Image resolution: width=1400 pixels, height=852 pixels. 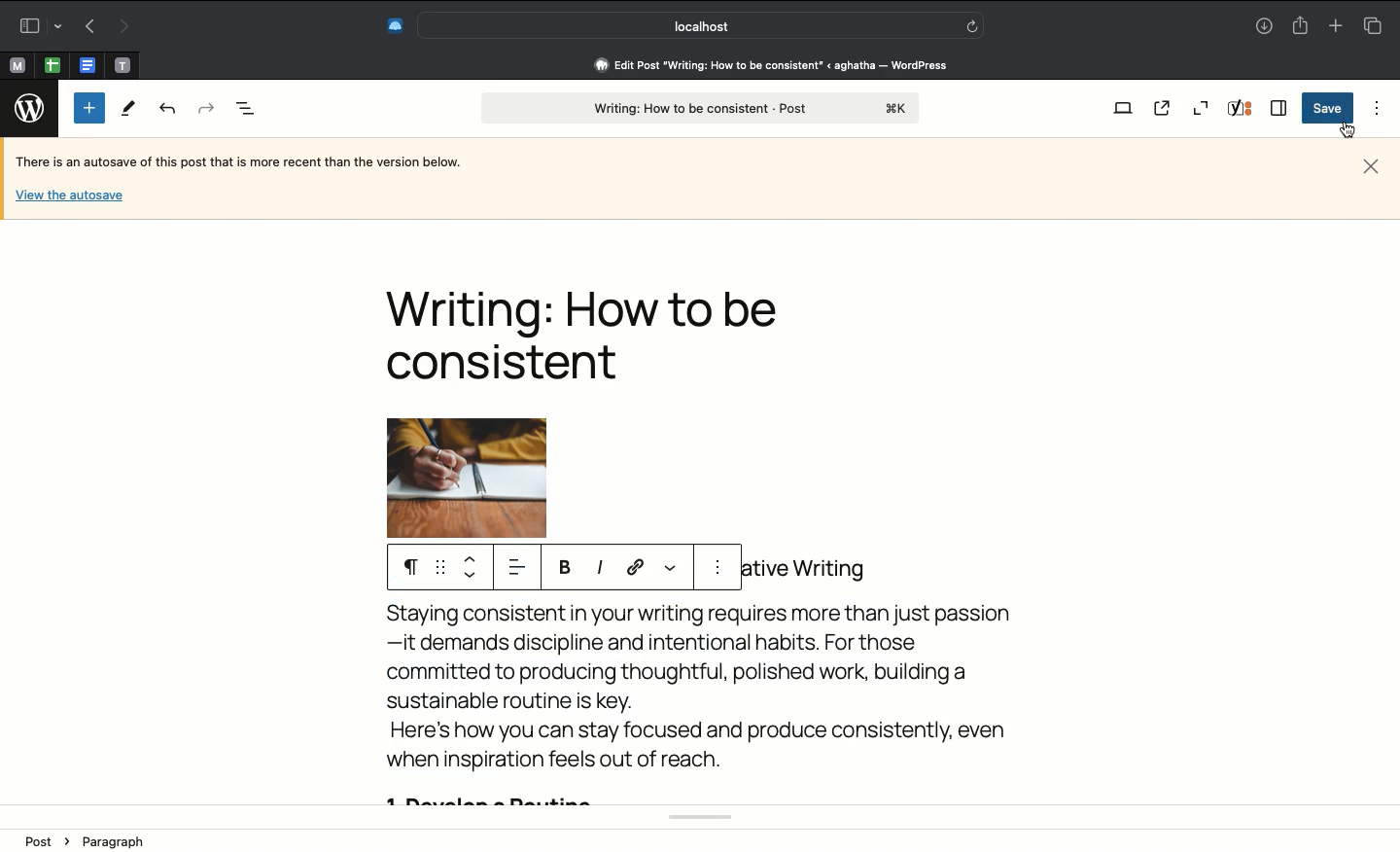 What do you see at coordinates (44, 840) in the screenshot?
I see `Post` at bounding box center [44, 840].